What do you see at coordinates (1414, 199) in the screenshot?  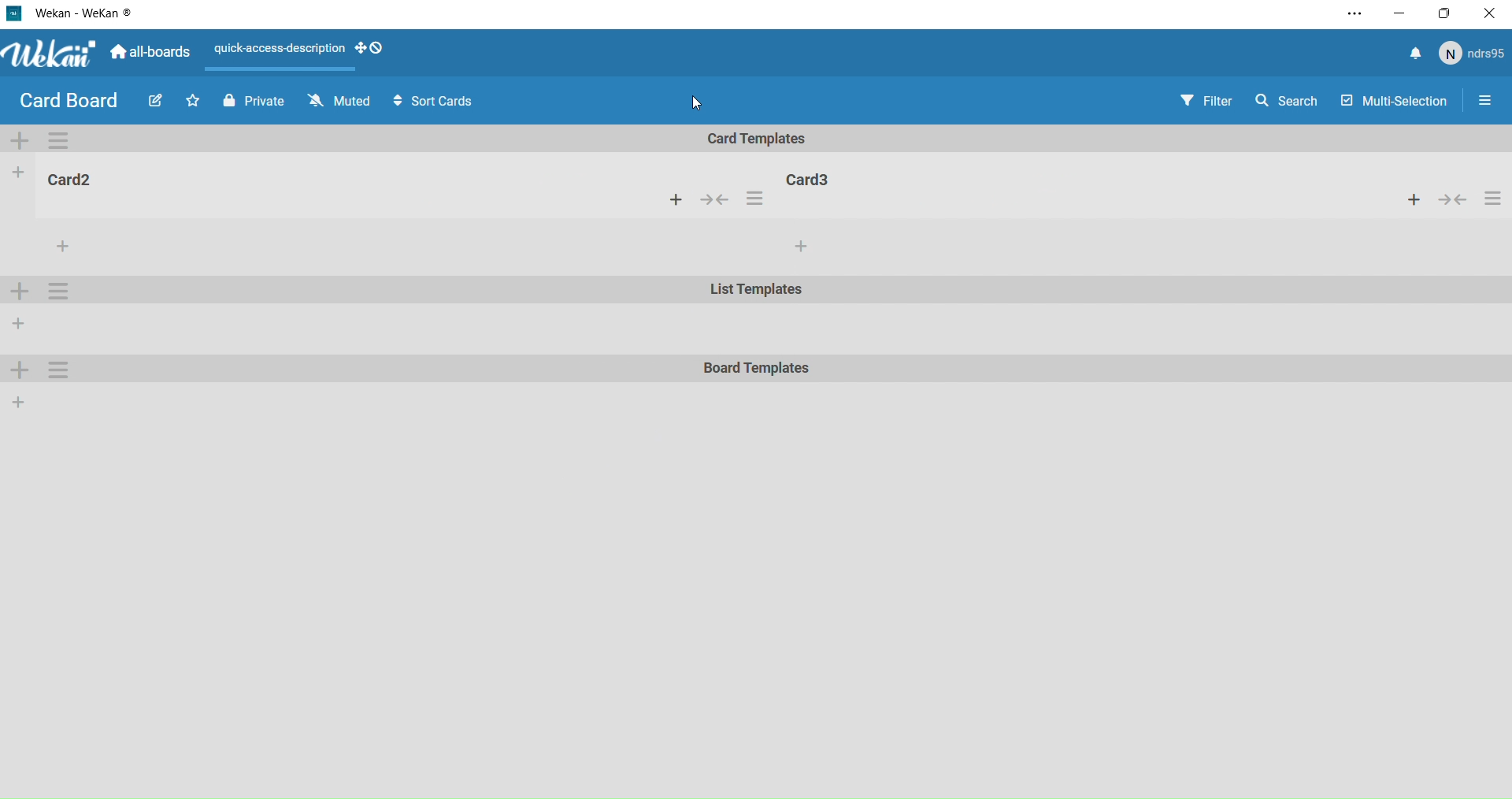 I see `add` at bounding box center [1414, 199].